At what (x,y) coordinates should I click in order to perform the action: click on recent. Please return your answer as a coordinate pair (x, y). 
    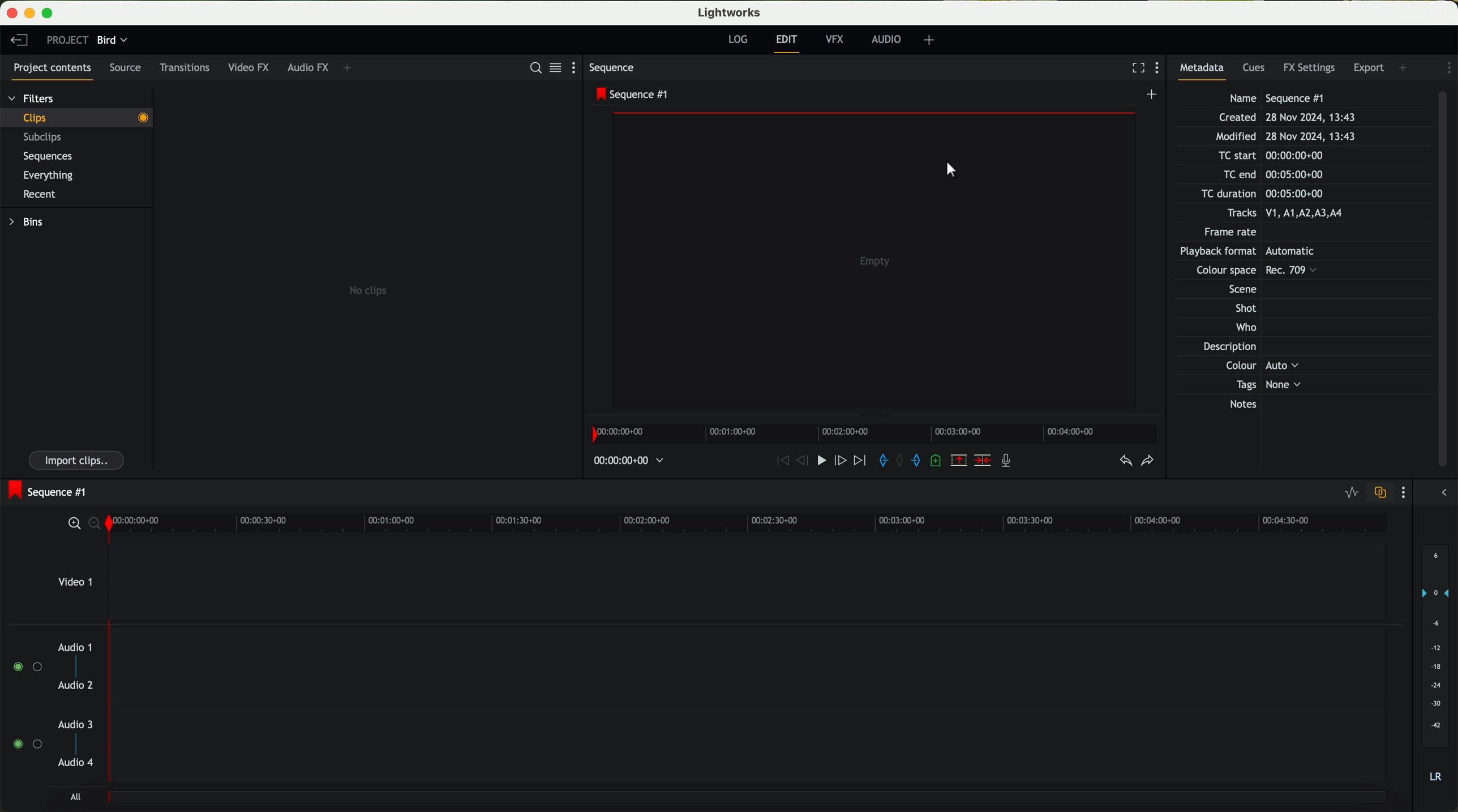
    Looking at the image, I should click on (42, 195).